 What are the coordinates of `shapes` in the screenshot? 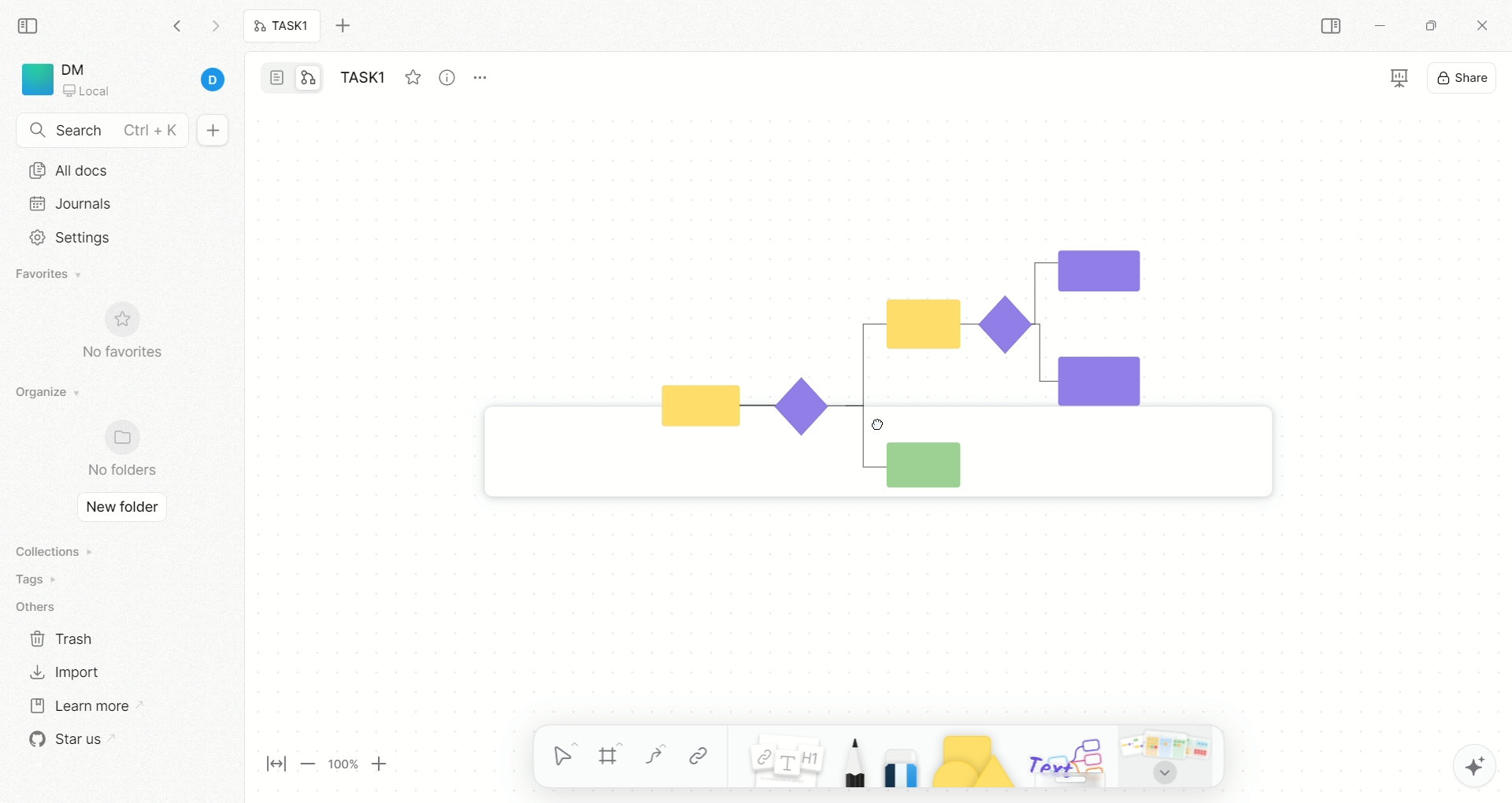 It's located at (965, 757).